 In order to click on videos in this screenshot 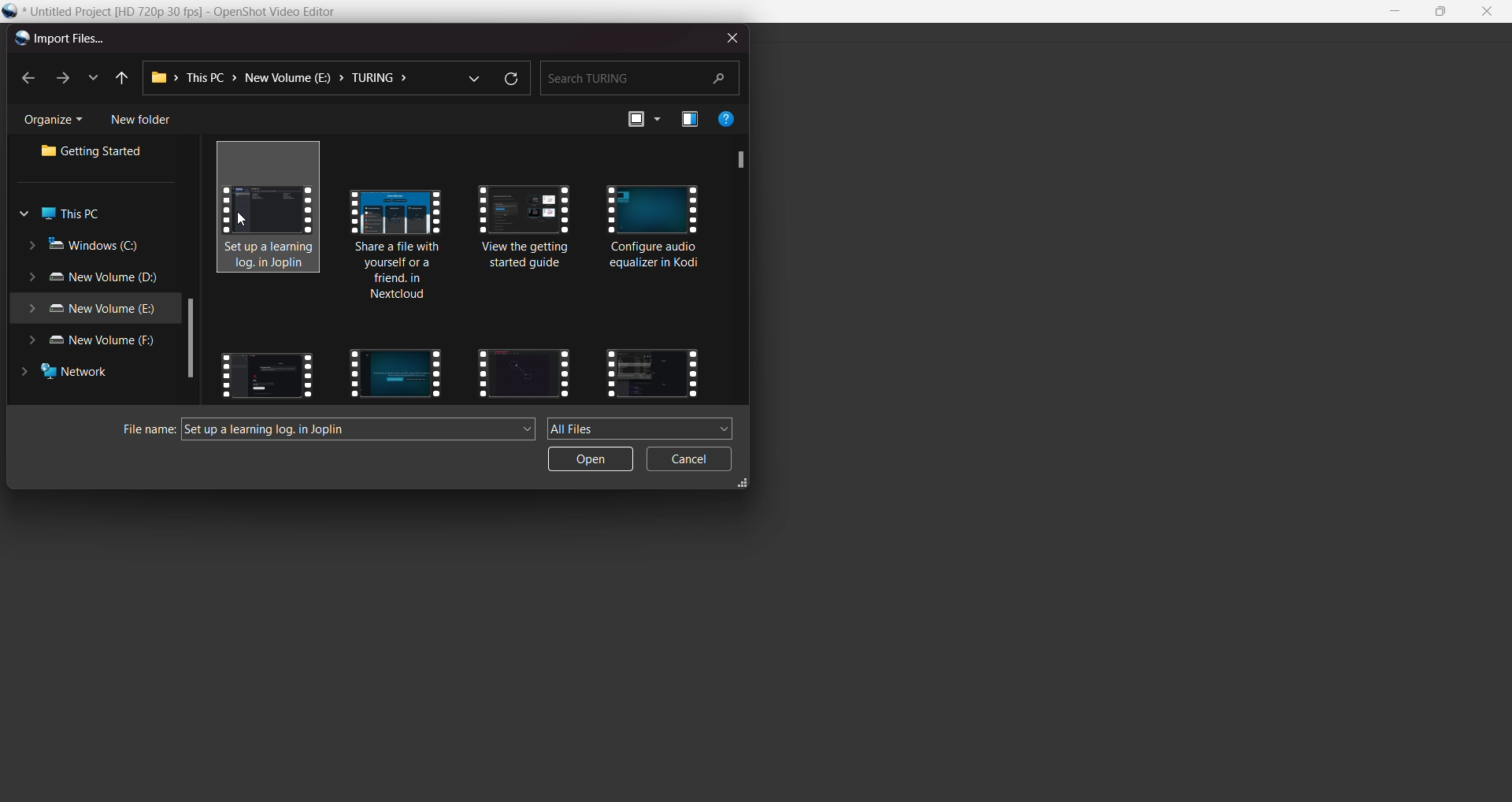, I will do `click(399, 242)`.